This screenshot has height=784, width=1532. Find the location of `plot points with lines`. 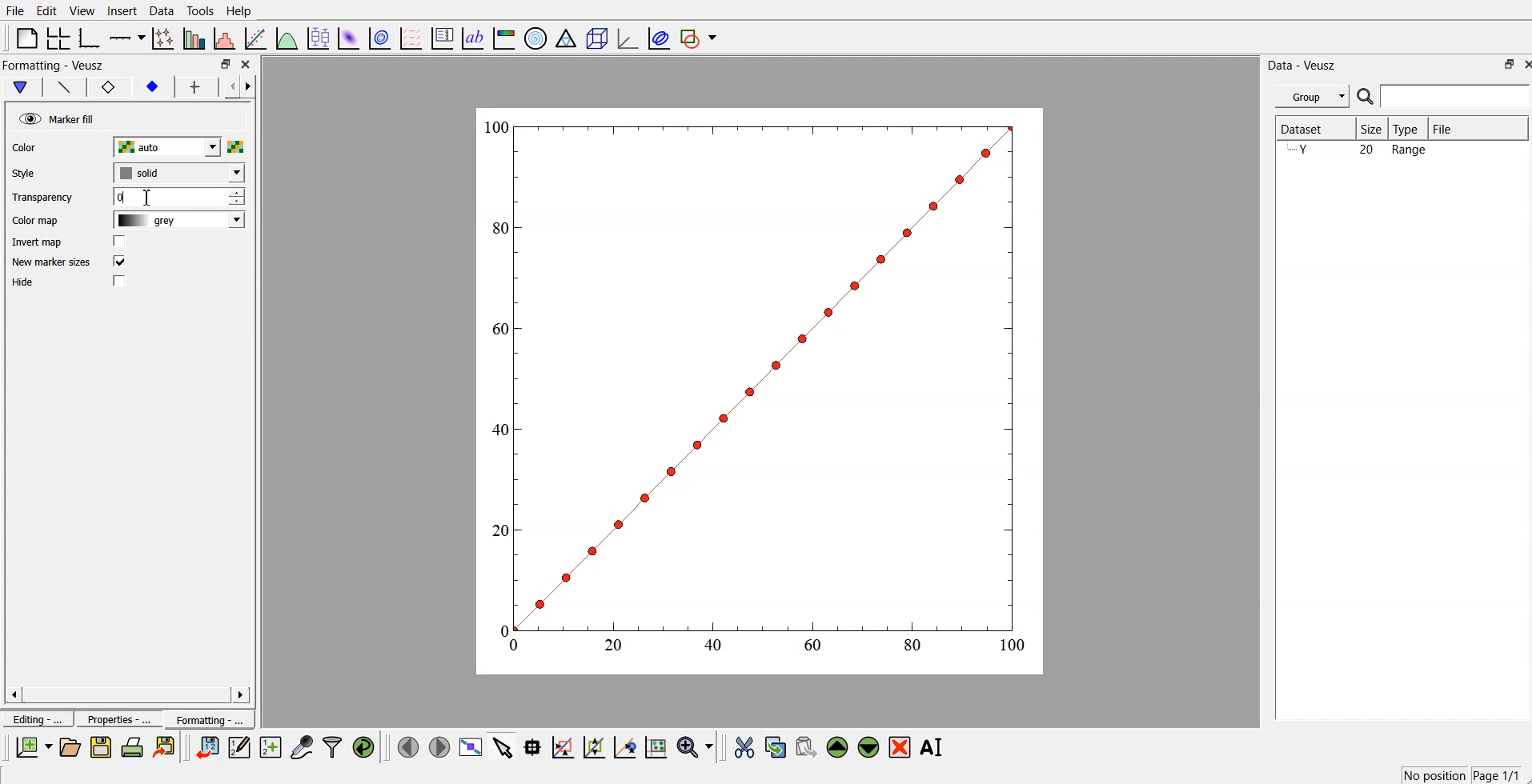

plot points with lines is located at coordinates (164, 38).